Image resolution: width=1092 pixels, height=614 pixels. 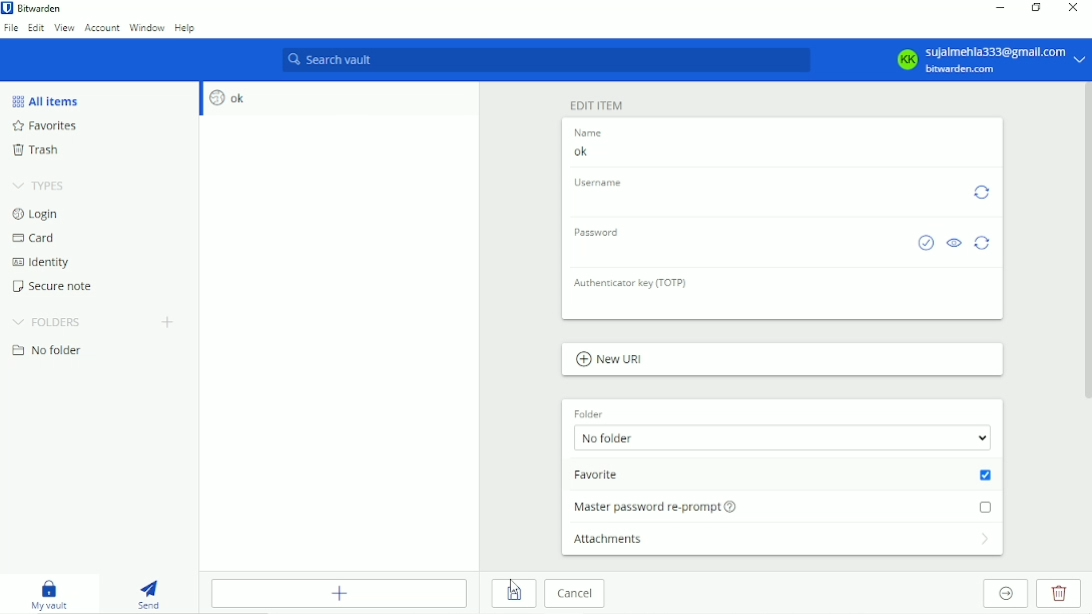 What do you see at coordinates (1001, 7) in the screenshot?
I see `Minimize` at bounding box center [1001, 7].